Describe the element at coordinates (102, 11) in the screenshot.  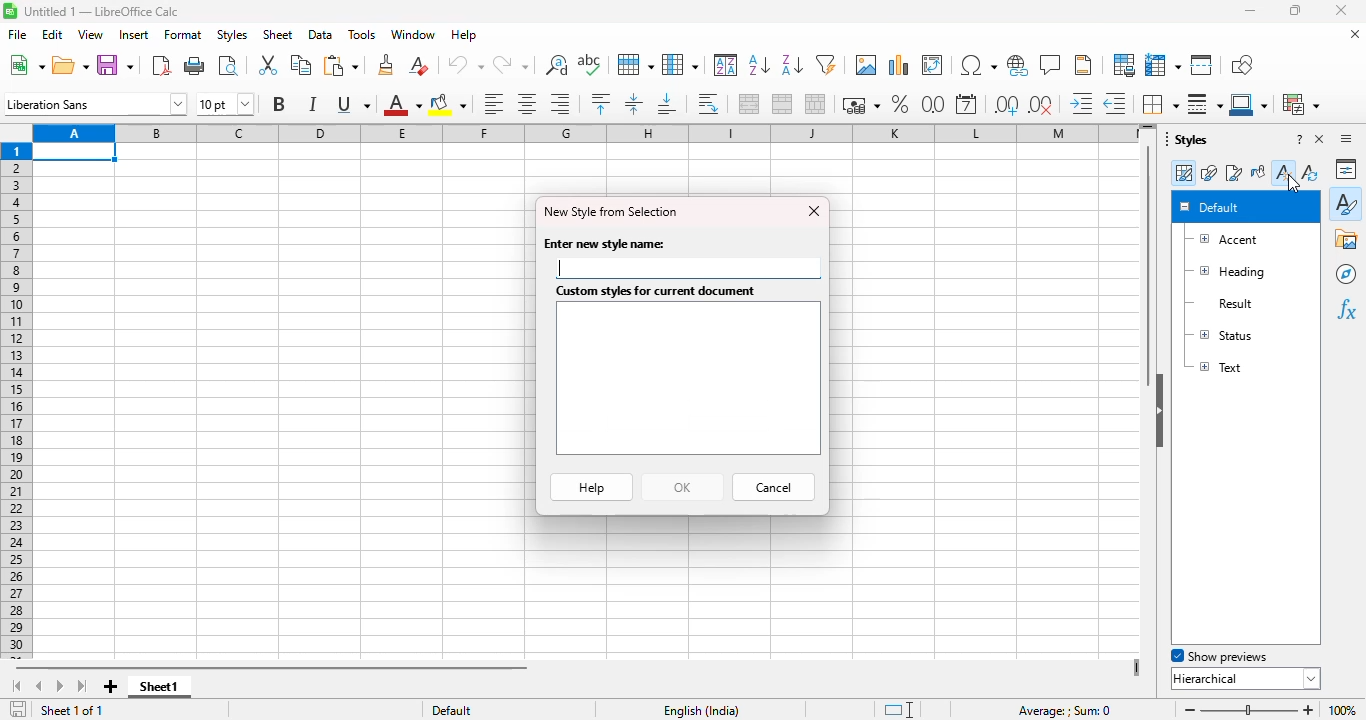
I see `title` at that location.